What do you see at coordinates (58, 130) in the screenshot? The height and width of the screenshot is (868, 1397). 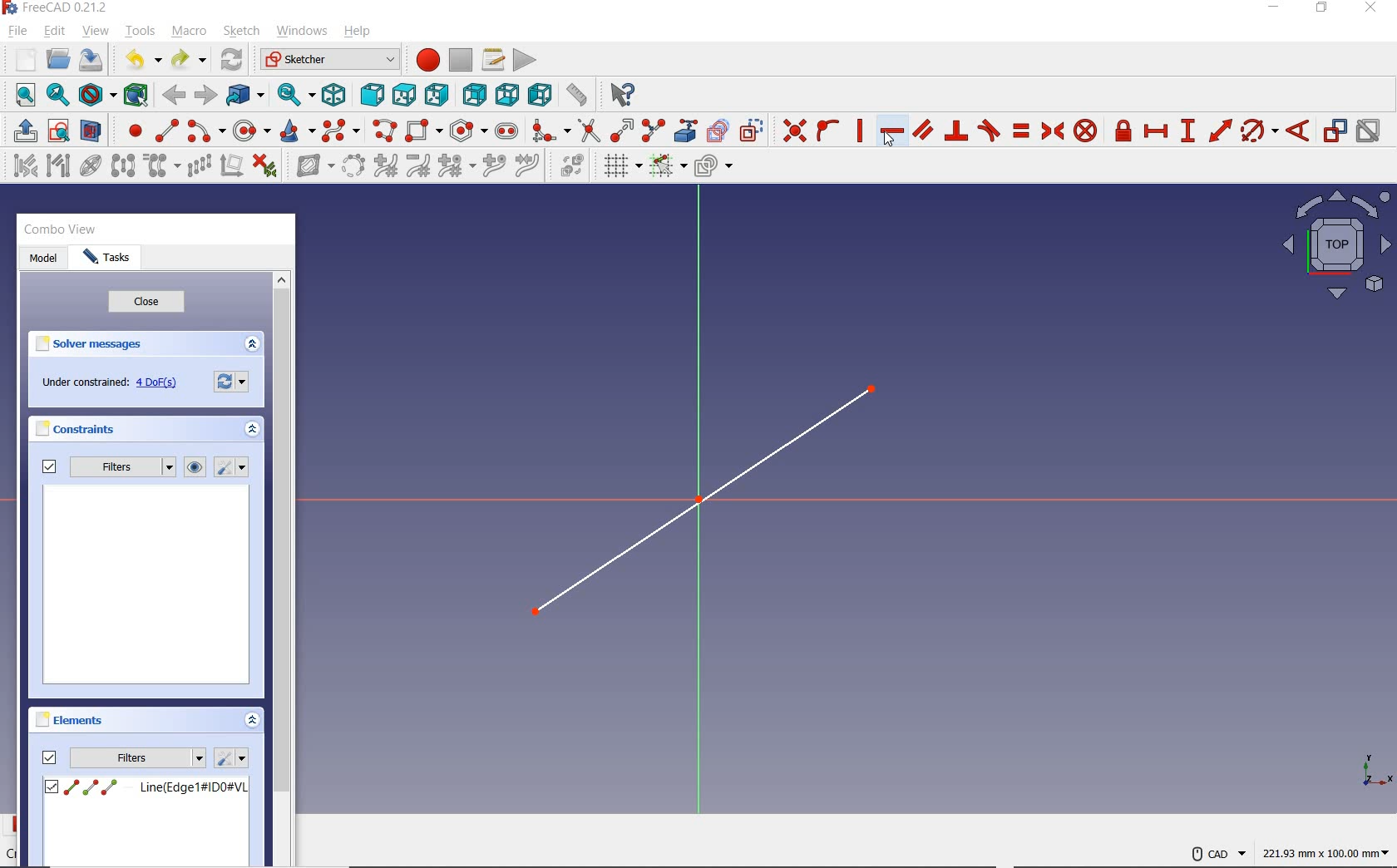 I see `VIEW SKETCH` at bounding box center [58, 130].